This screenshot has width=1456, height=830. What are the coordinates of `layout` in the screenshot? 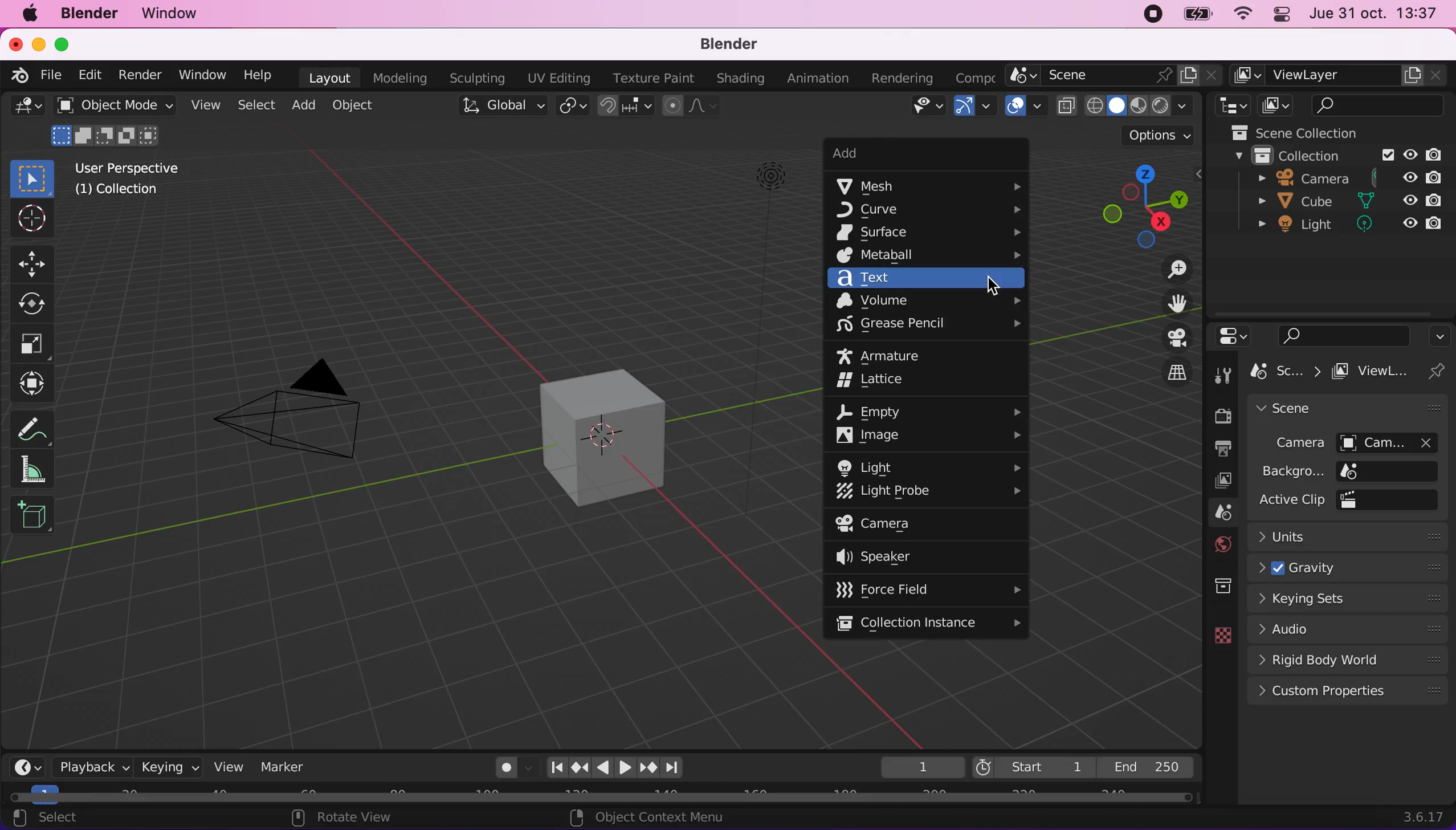 It's located at (327, 77).